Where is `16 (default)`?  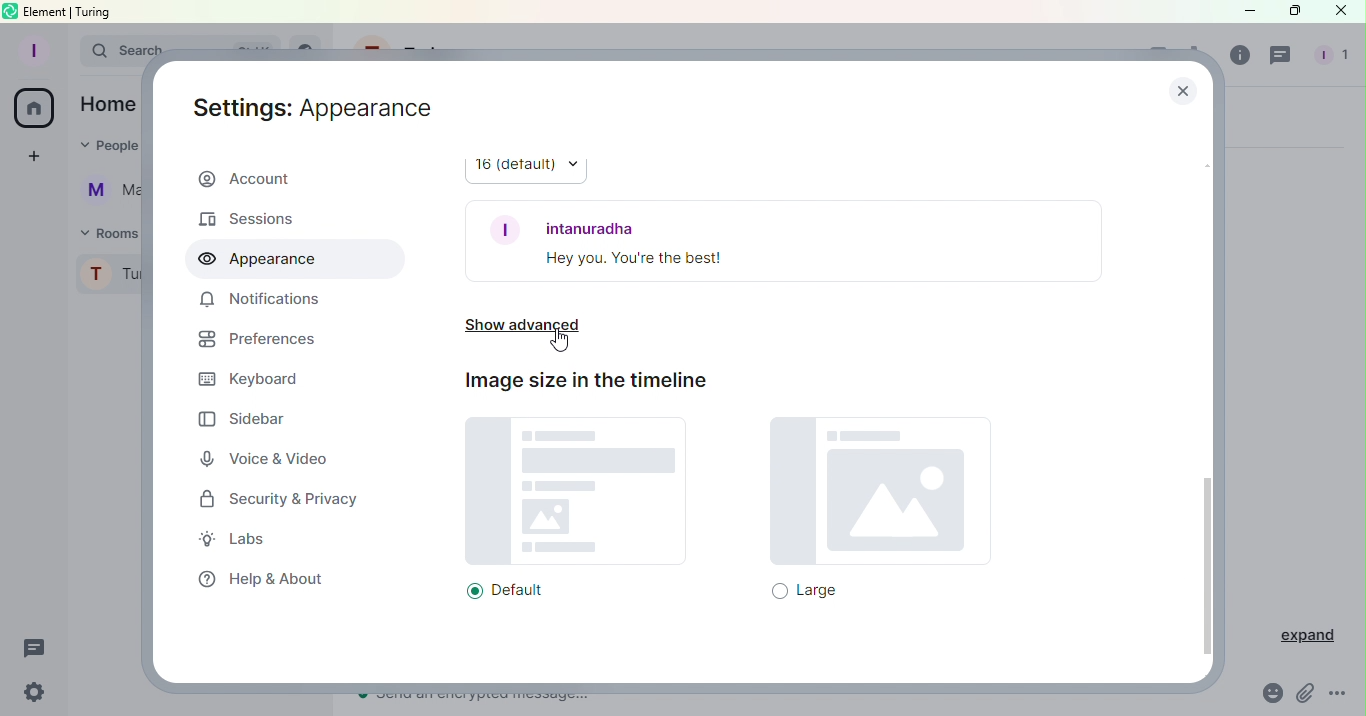 16 (default) is located at coordinates (523, 166).